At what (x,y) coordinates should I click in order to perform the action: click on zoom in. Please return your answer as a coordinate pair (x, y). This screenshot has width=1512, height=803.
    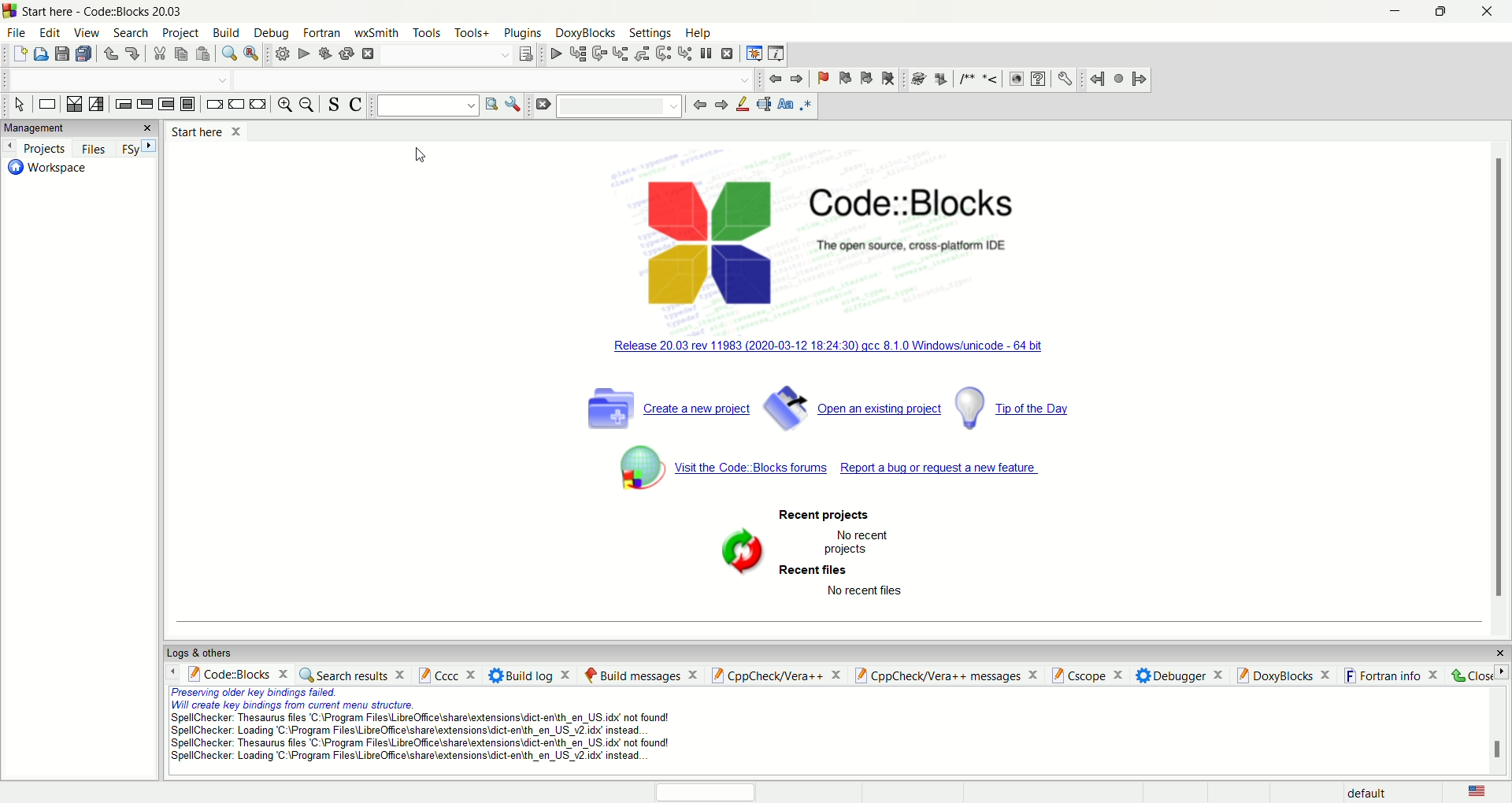
    Looking at the image, I should click on (283, 106).